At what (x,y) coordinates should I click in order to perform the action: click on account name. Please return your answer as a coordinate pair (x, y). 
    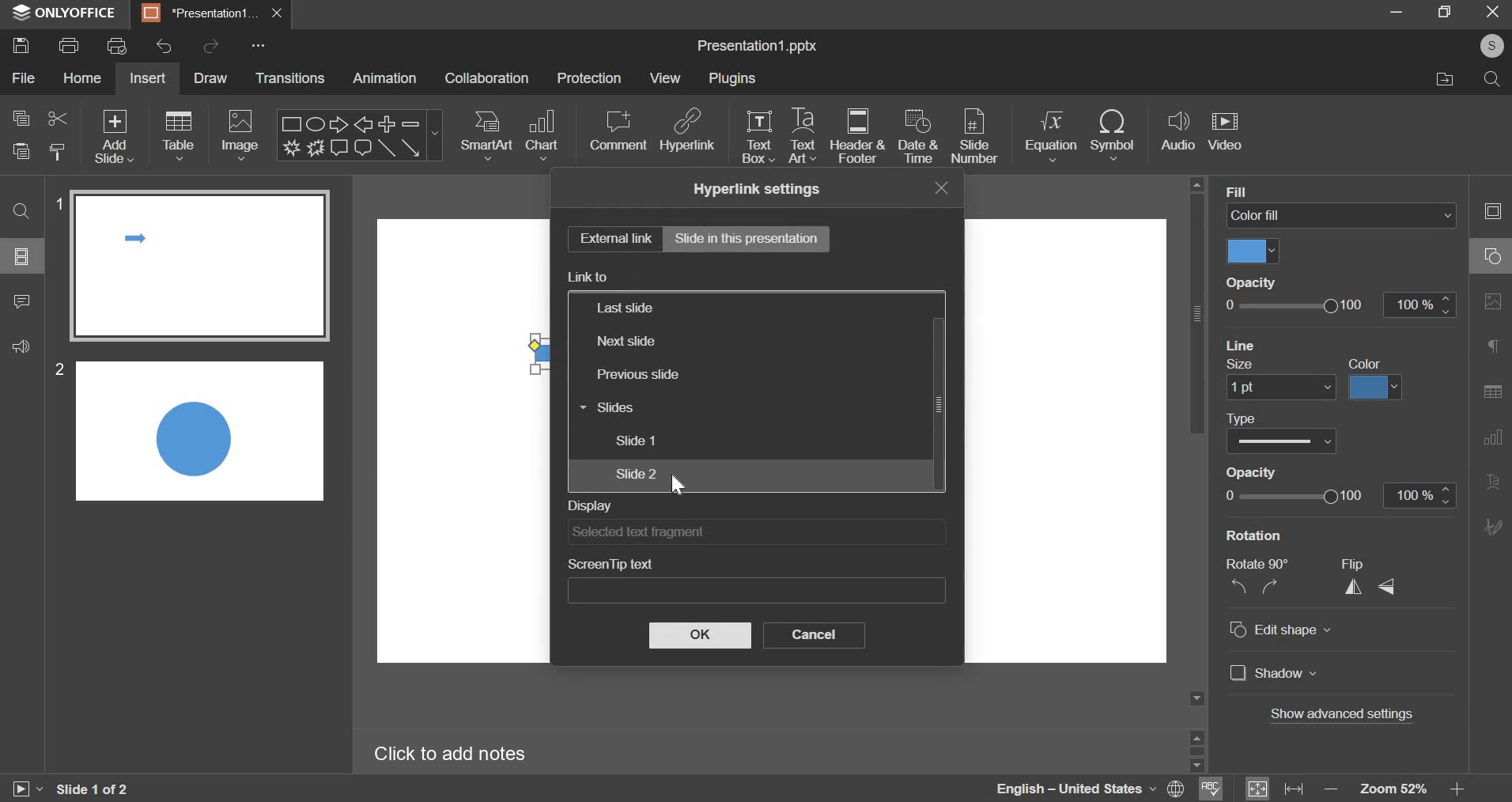
    Looking at the image, I should click on (1491, 46).